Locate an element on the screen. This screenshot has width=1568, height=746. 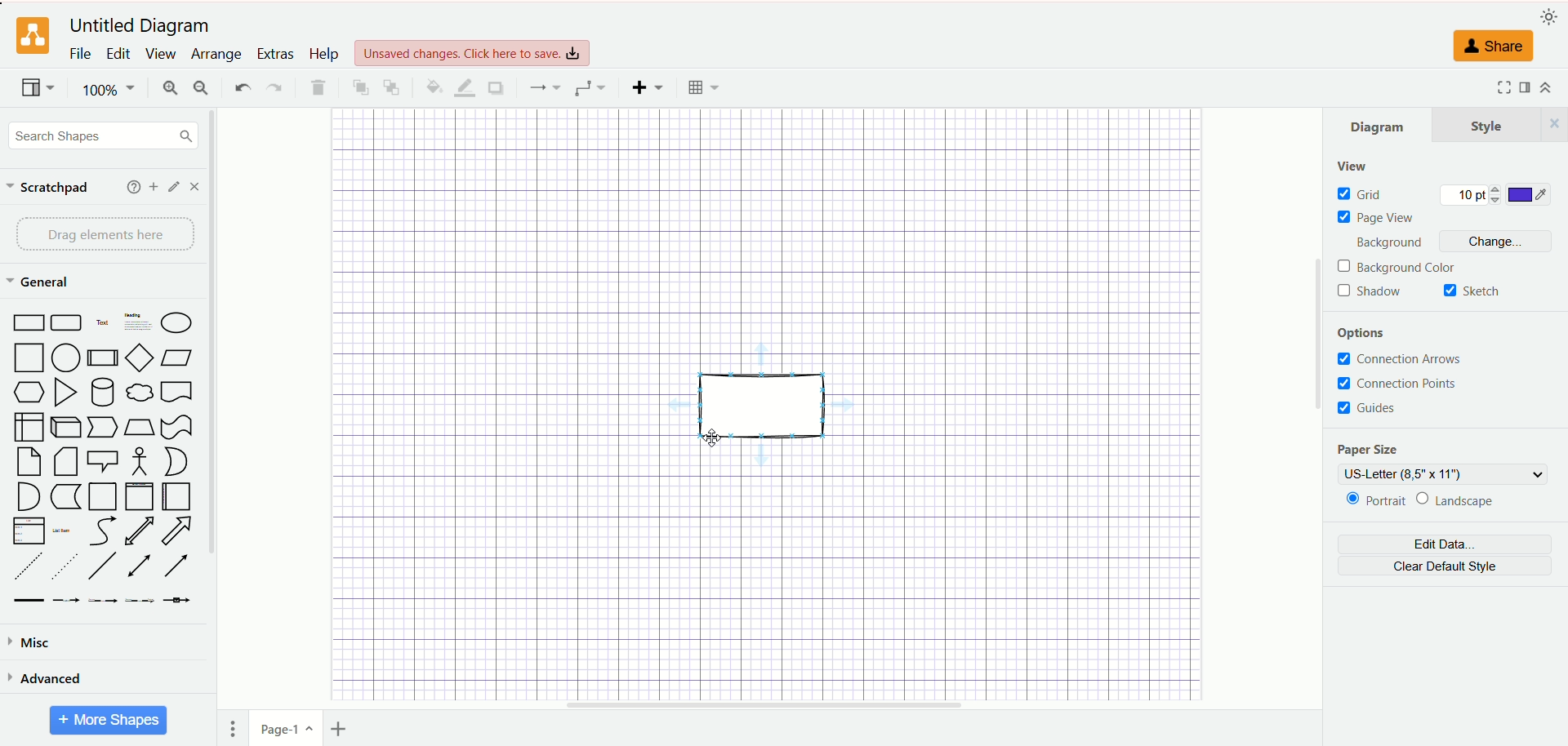
table is located at coordinates (706, 89).